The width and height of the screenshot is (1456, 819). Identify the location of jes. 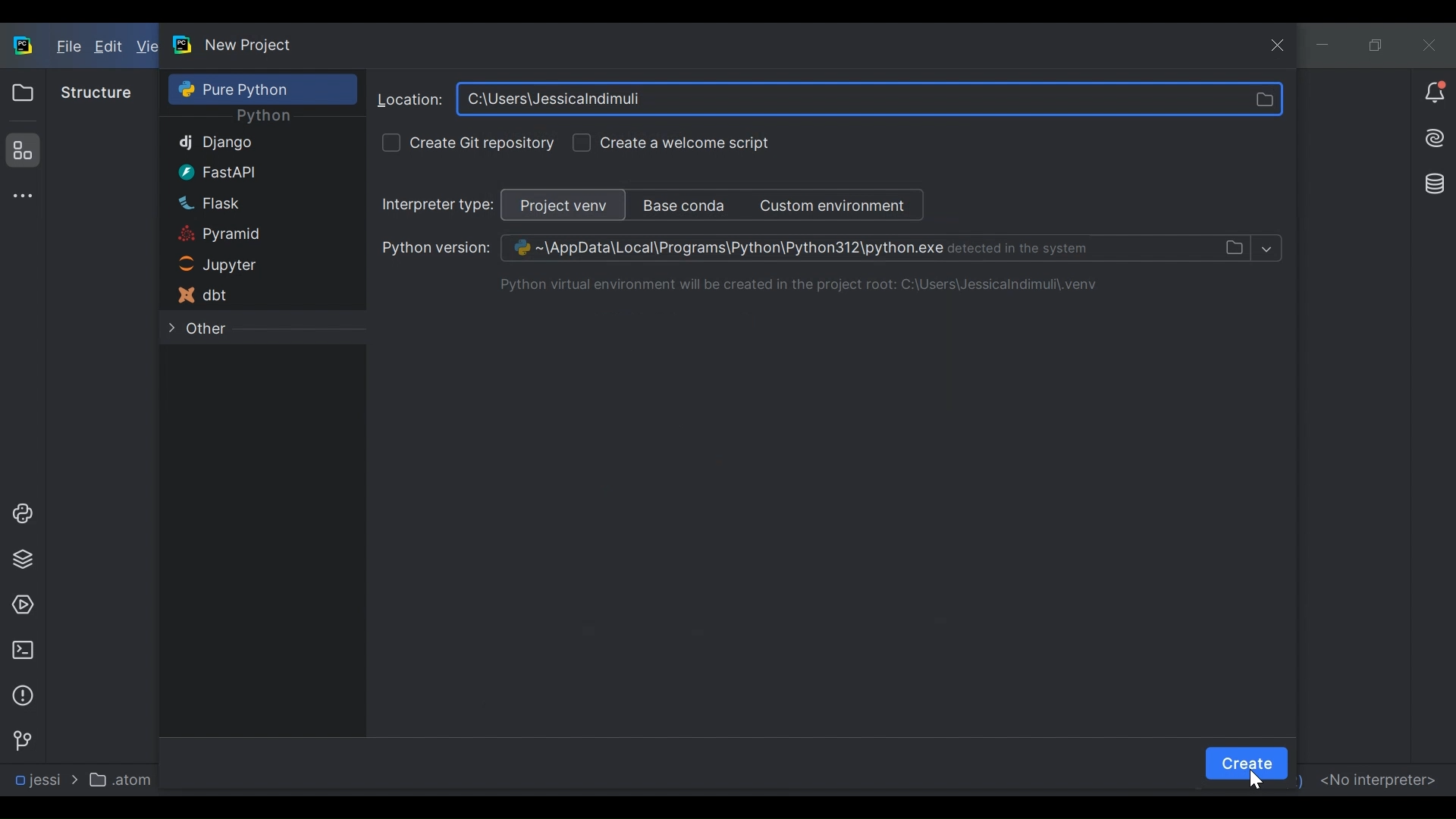
(35, 780).